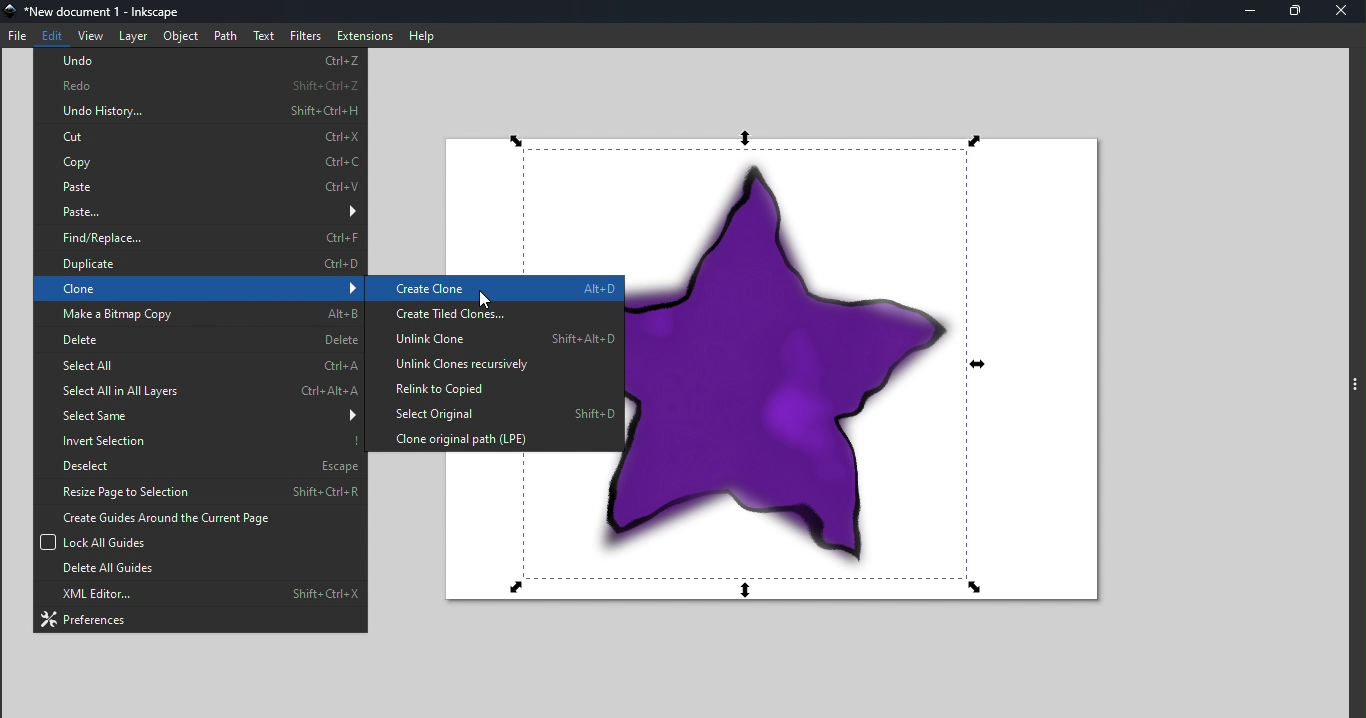 This screenshot has width=1366, height=718. What do you see at coordinates (422, 34) in the screenshot?
I see `Help` at bounding box center [422, 34].